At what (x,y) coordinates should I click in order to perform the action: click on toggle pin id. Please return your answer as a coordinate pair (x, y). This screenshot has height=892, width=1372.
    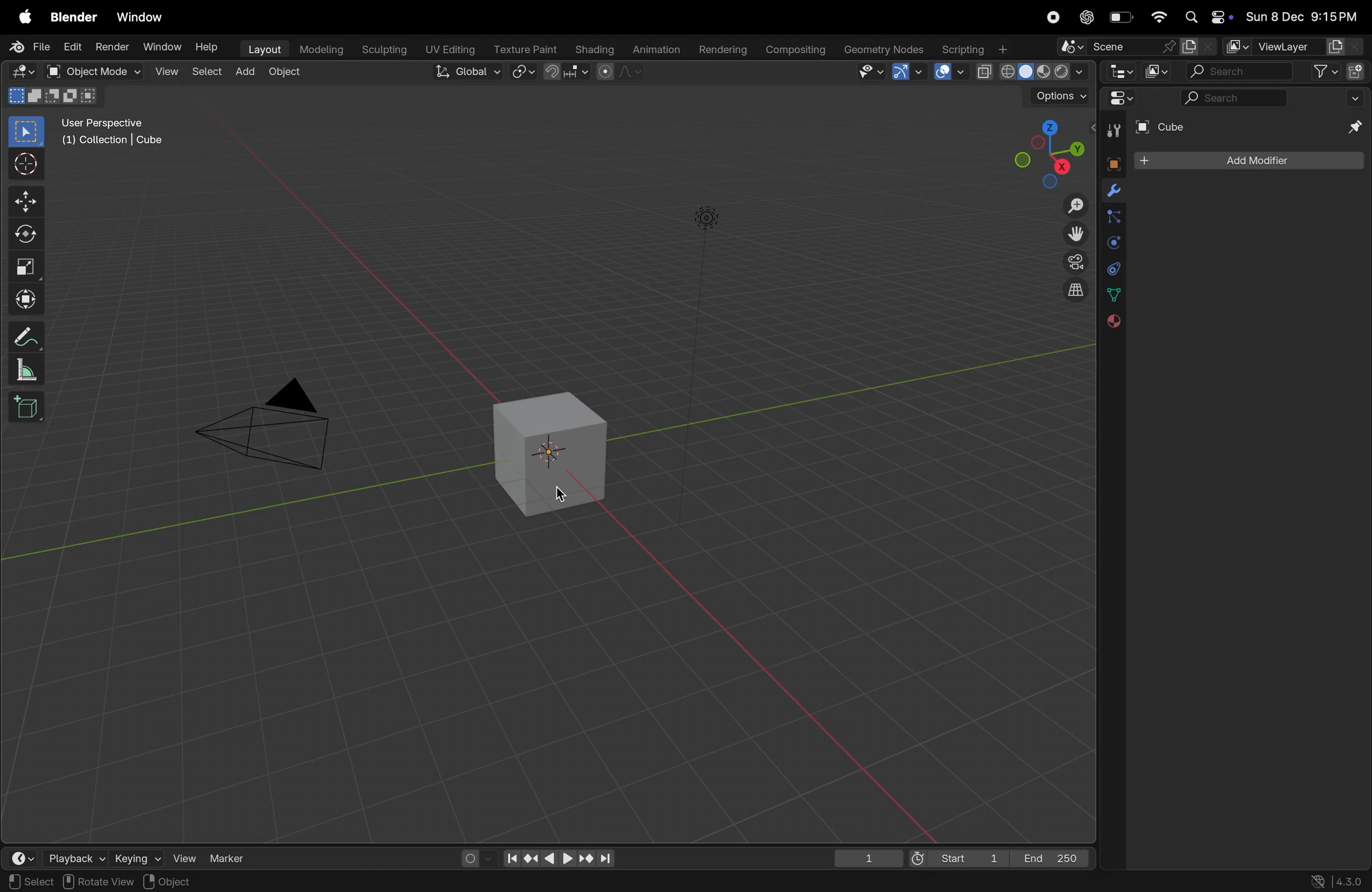
    Looking at the image, I should click on (1352, 128).